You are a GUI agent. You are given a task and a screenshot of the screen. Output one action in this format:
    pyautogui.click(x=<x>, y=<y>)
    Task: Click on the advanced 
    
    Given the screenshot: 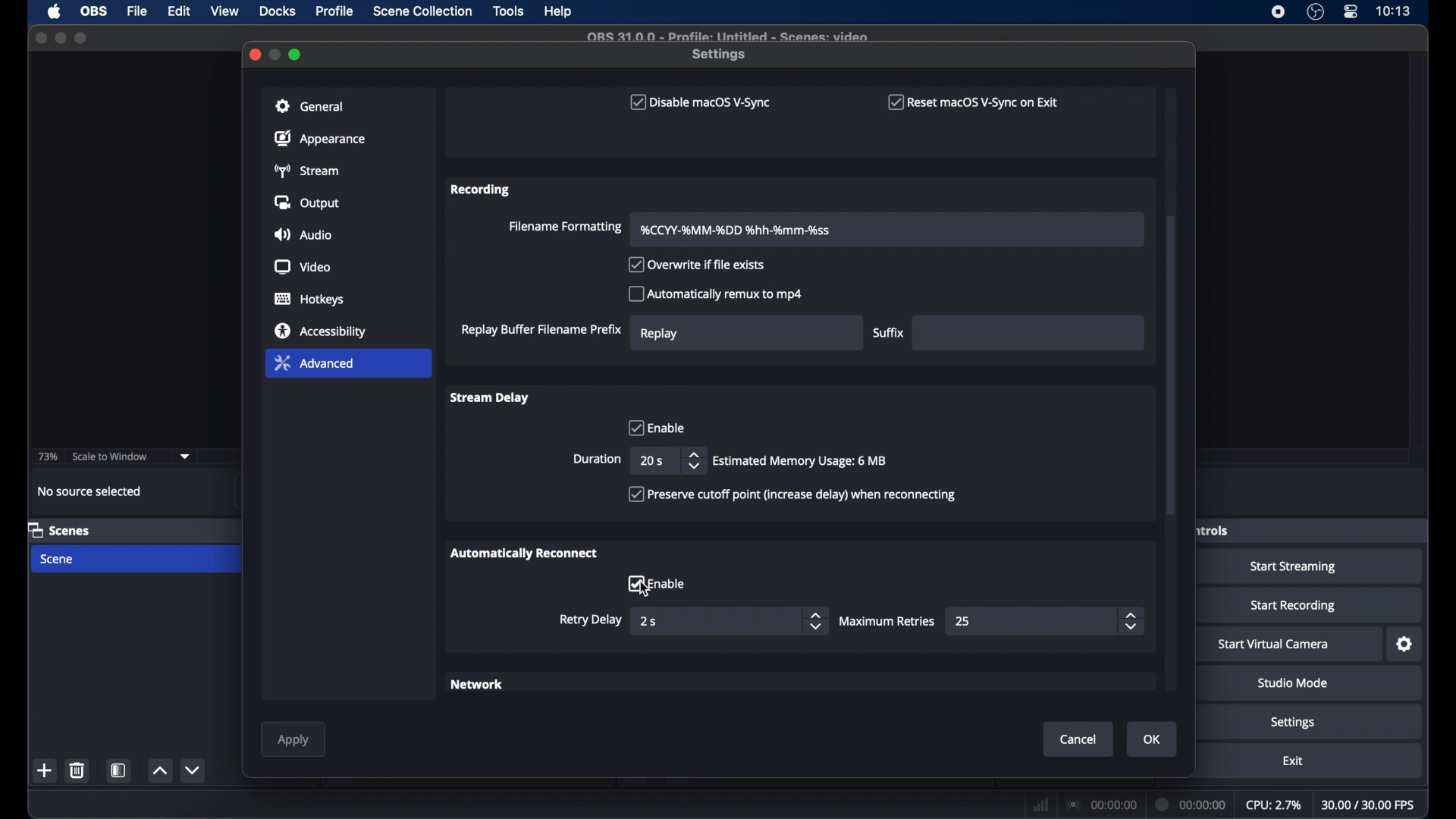 What is the action you would take?
    pyautogui.click(x=314, y=362)
    